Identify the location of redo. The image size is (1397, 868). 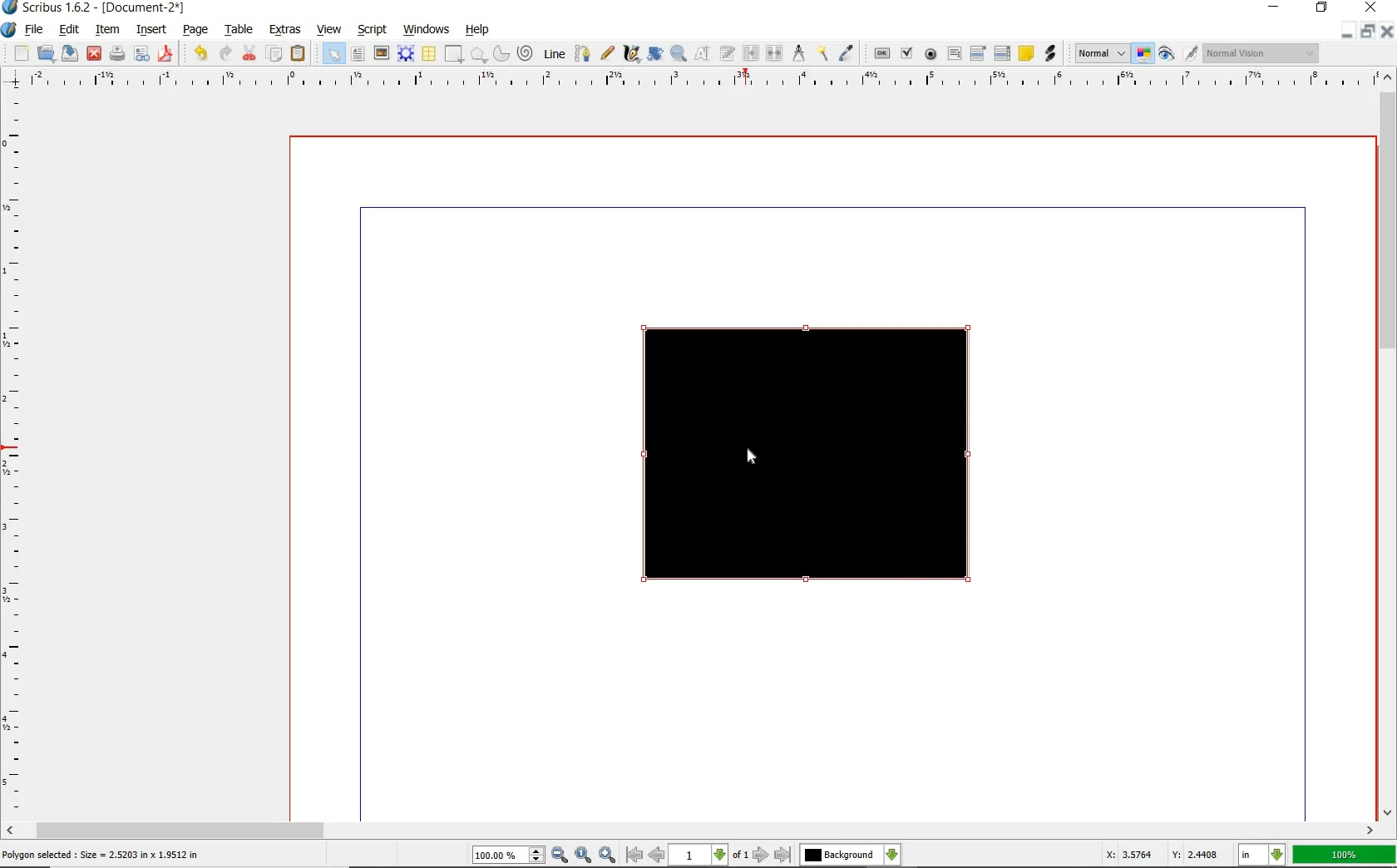
(225, 54).